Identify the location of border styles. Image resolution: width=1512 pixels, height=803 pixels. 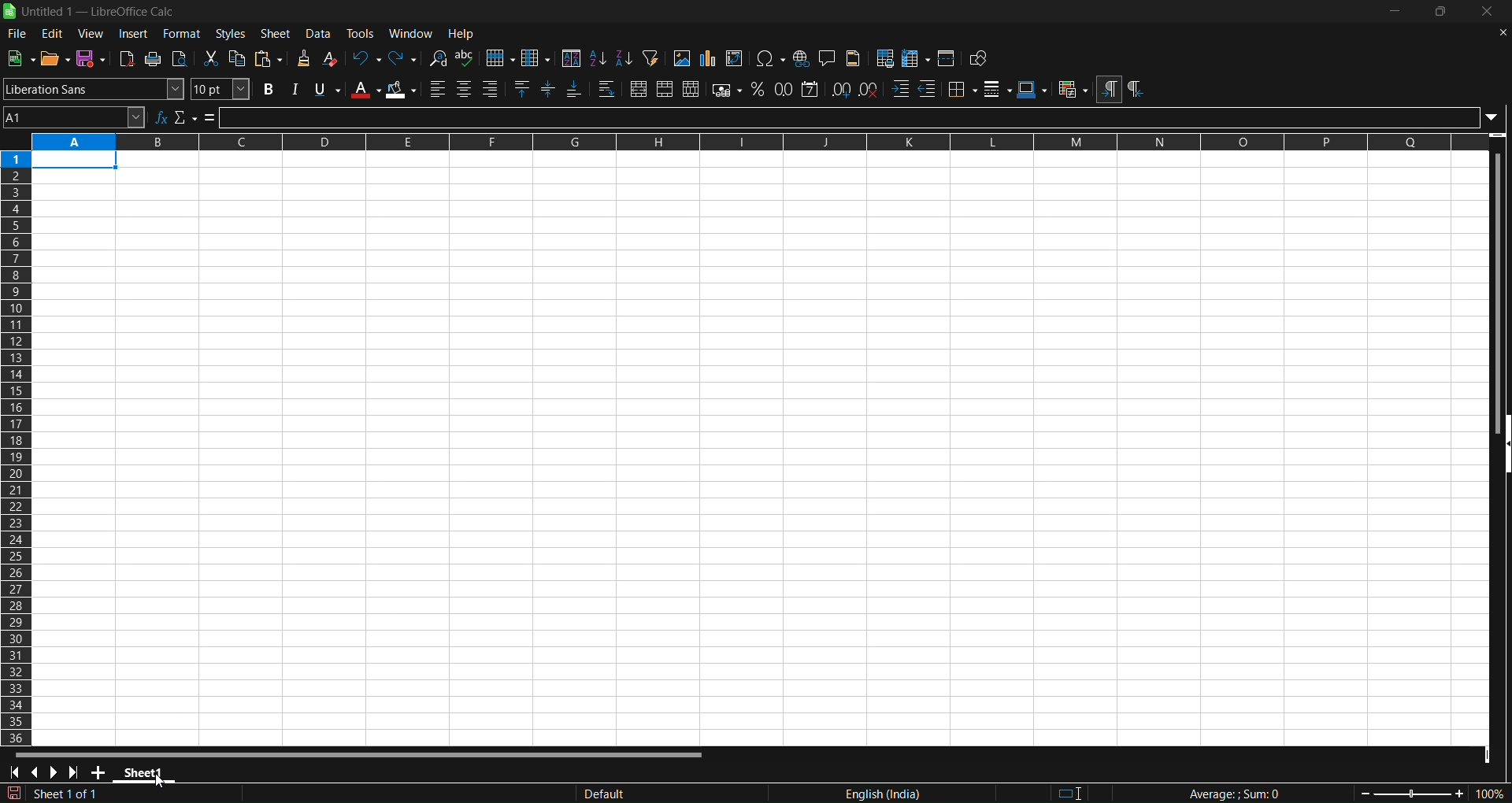
(998, 89).